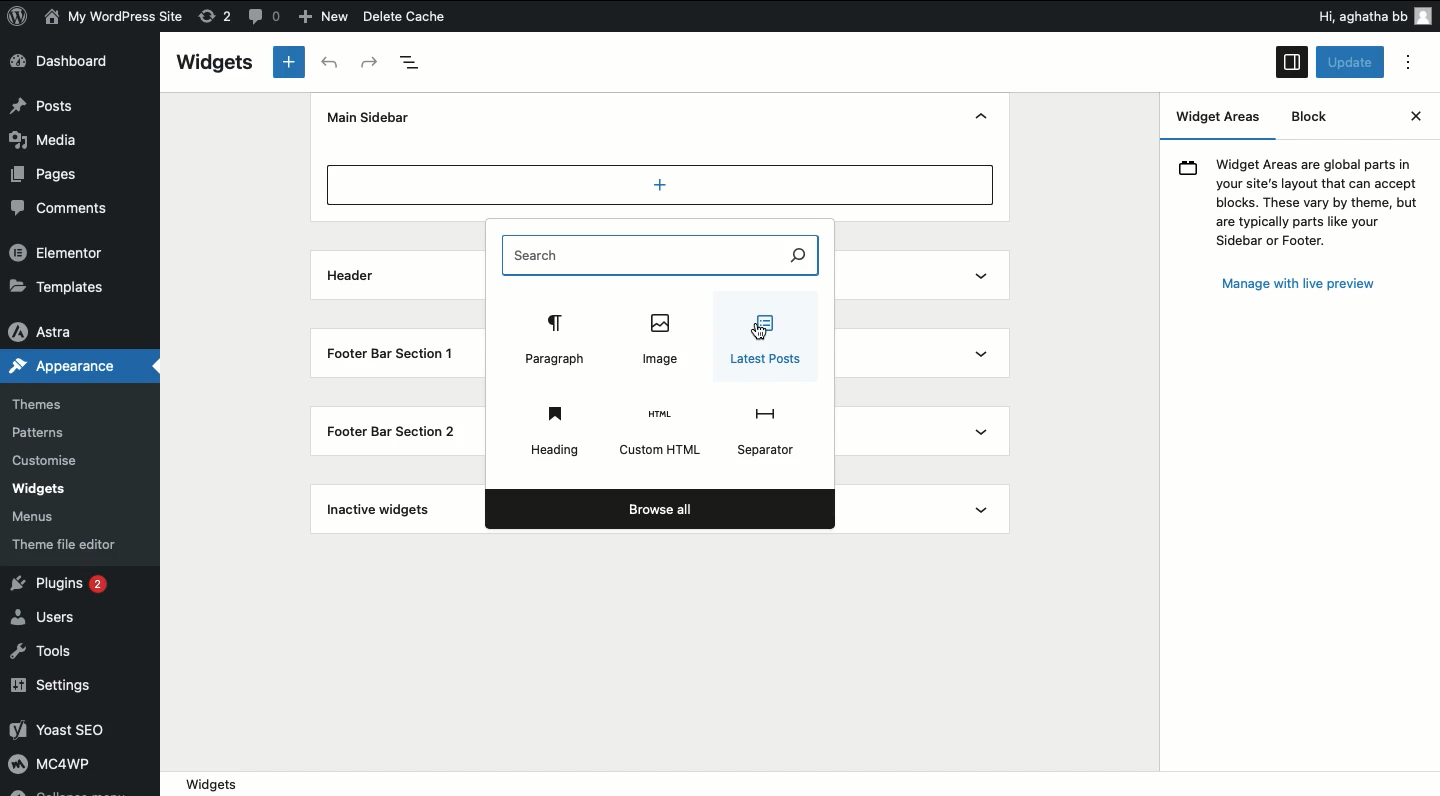  Describe the element at coordinates (419, 67) in the screenshot. I see `Document overview` at that location.